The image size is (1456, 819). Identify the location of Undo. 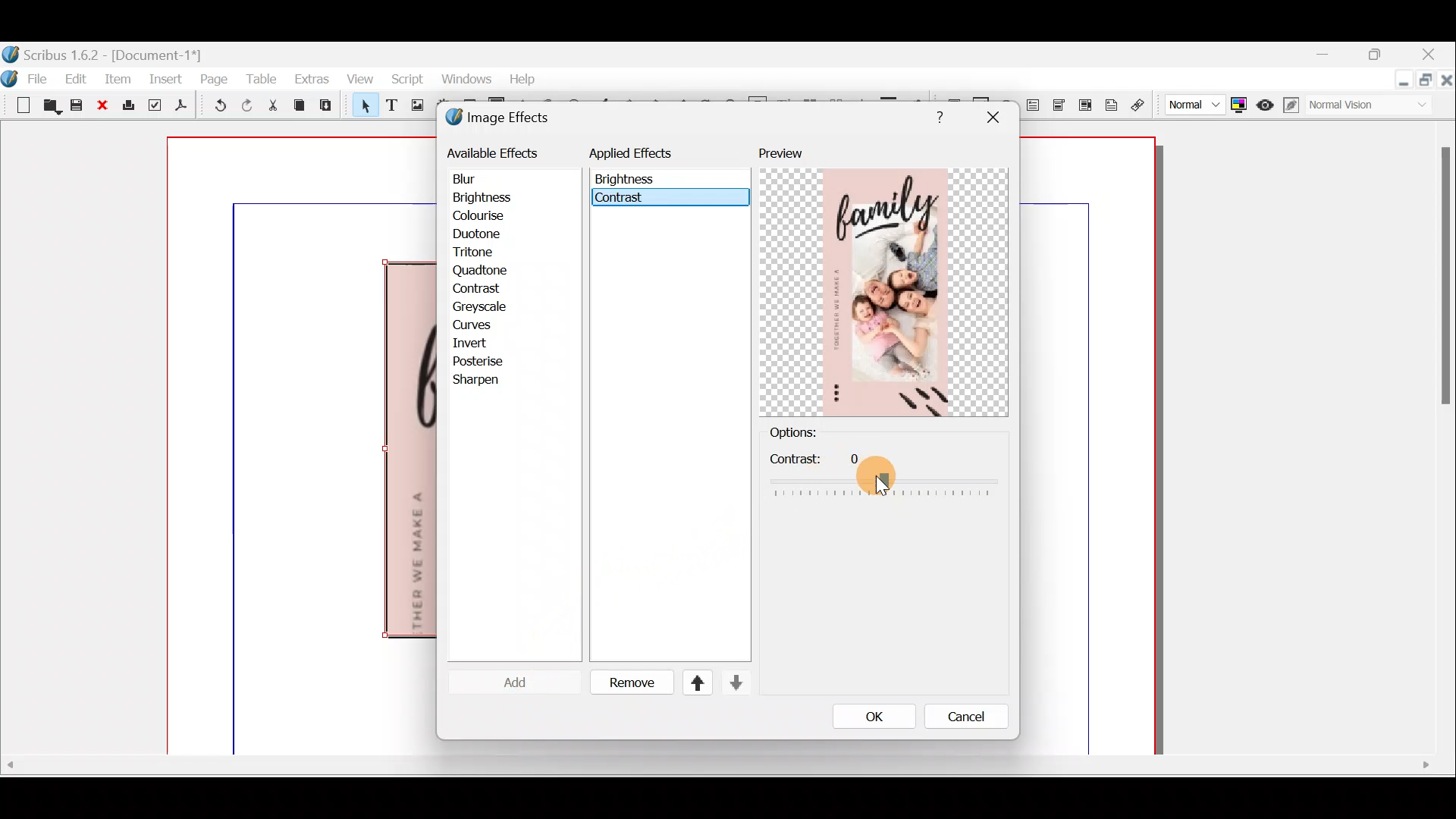
(215, 108).